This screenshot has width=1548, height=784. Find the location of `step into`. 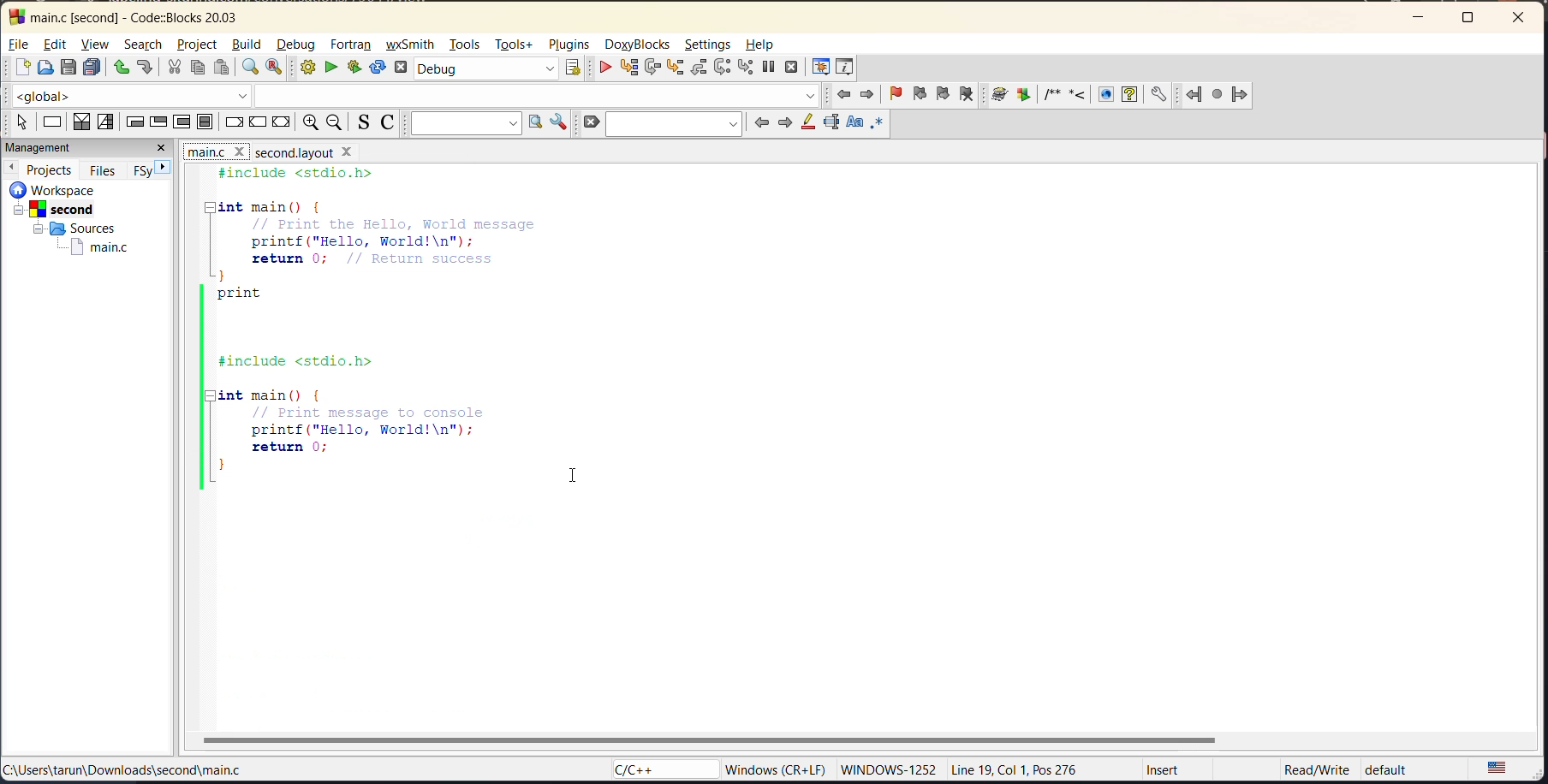

step into is located at coordinates (675, 69).